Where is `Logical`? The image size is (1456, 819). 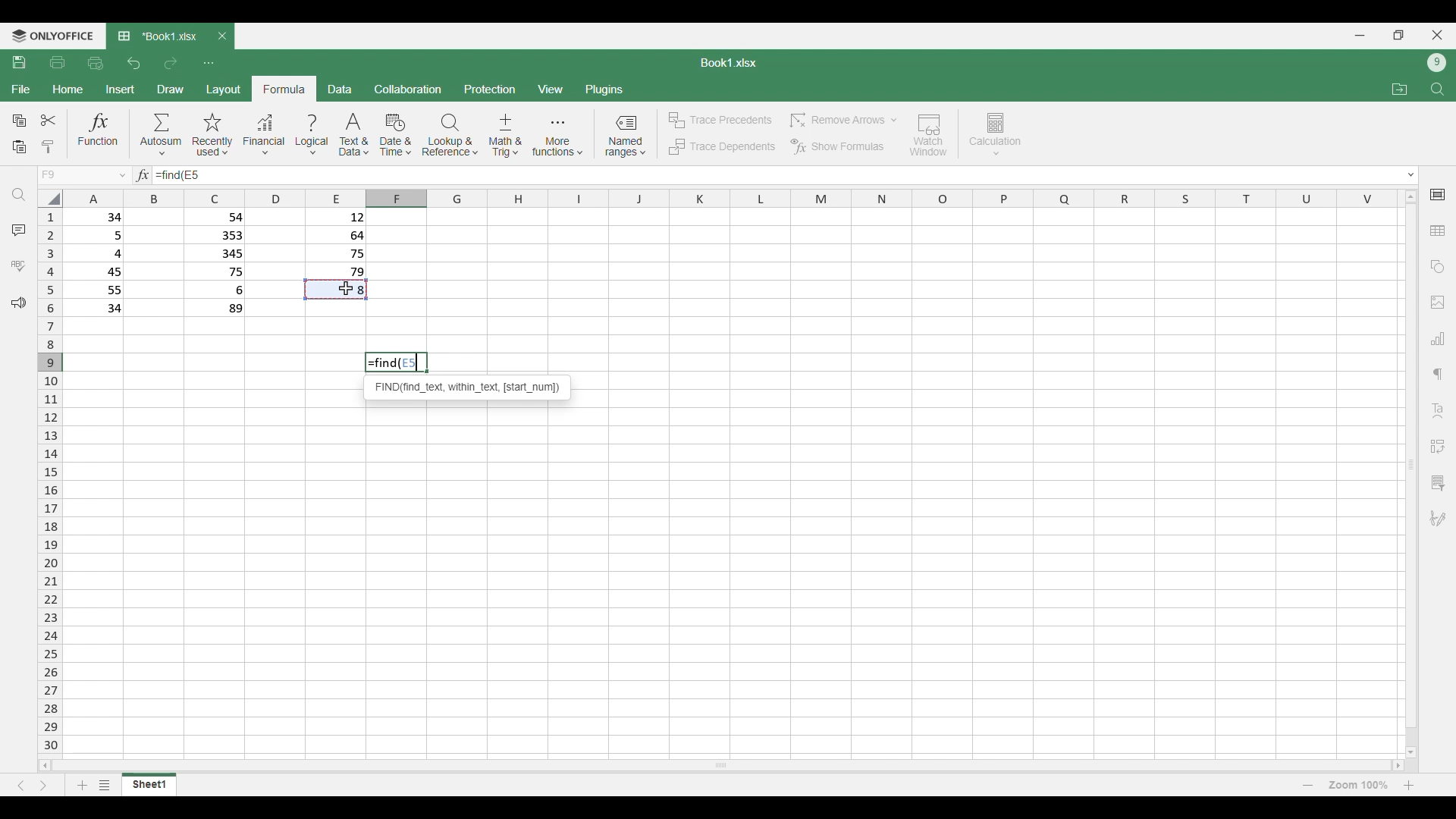 Logical is located at coordinates (312, 135).